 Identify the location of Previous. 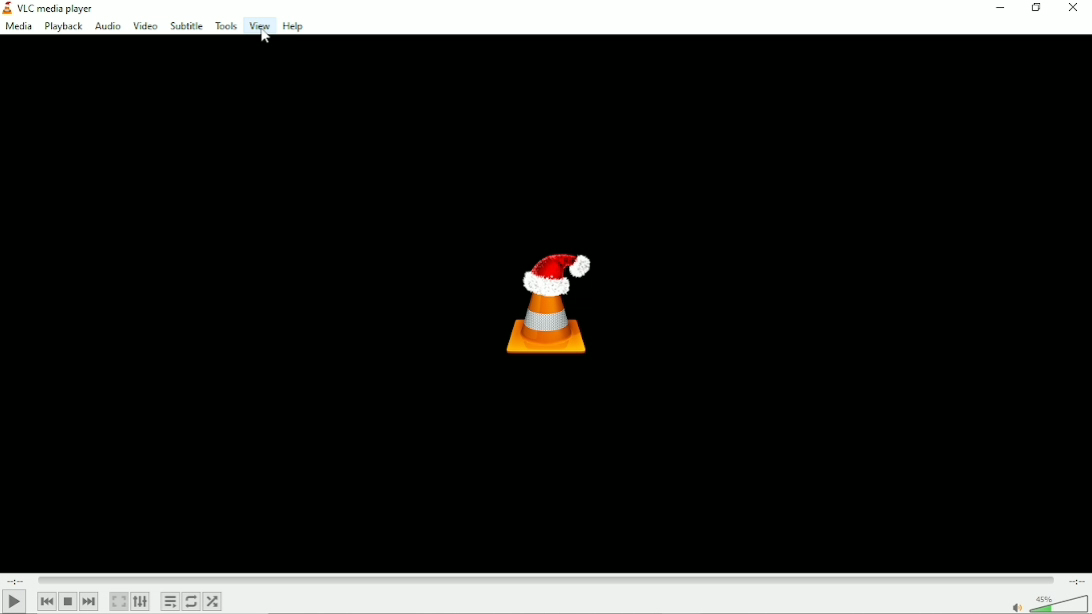
(46, 601).